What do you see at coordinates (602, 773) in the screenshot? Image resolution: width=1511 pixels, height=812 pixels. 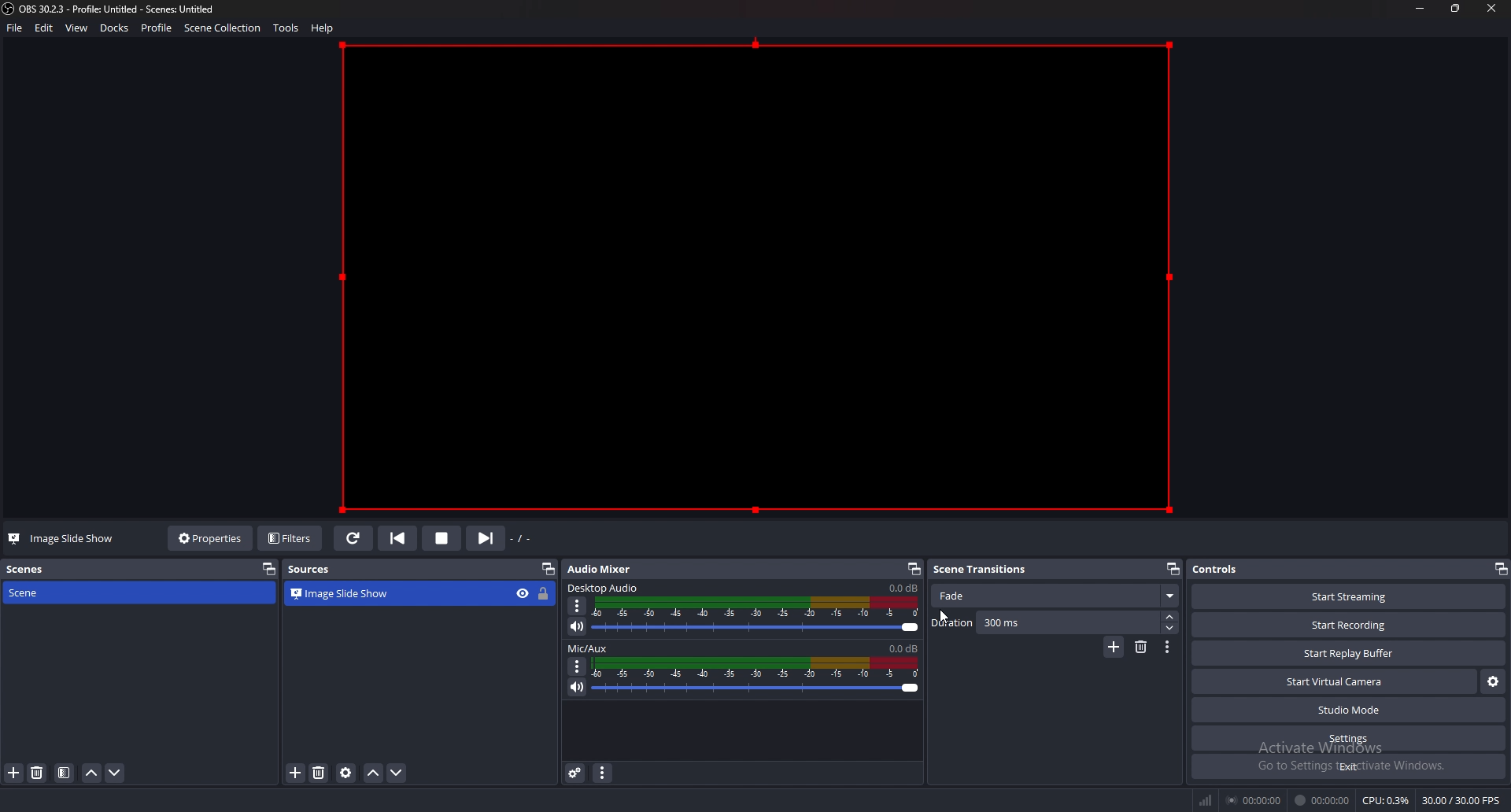 I see `audio mixer menu` at bounding box center [602, 773].